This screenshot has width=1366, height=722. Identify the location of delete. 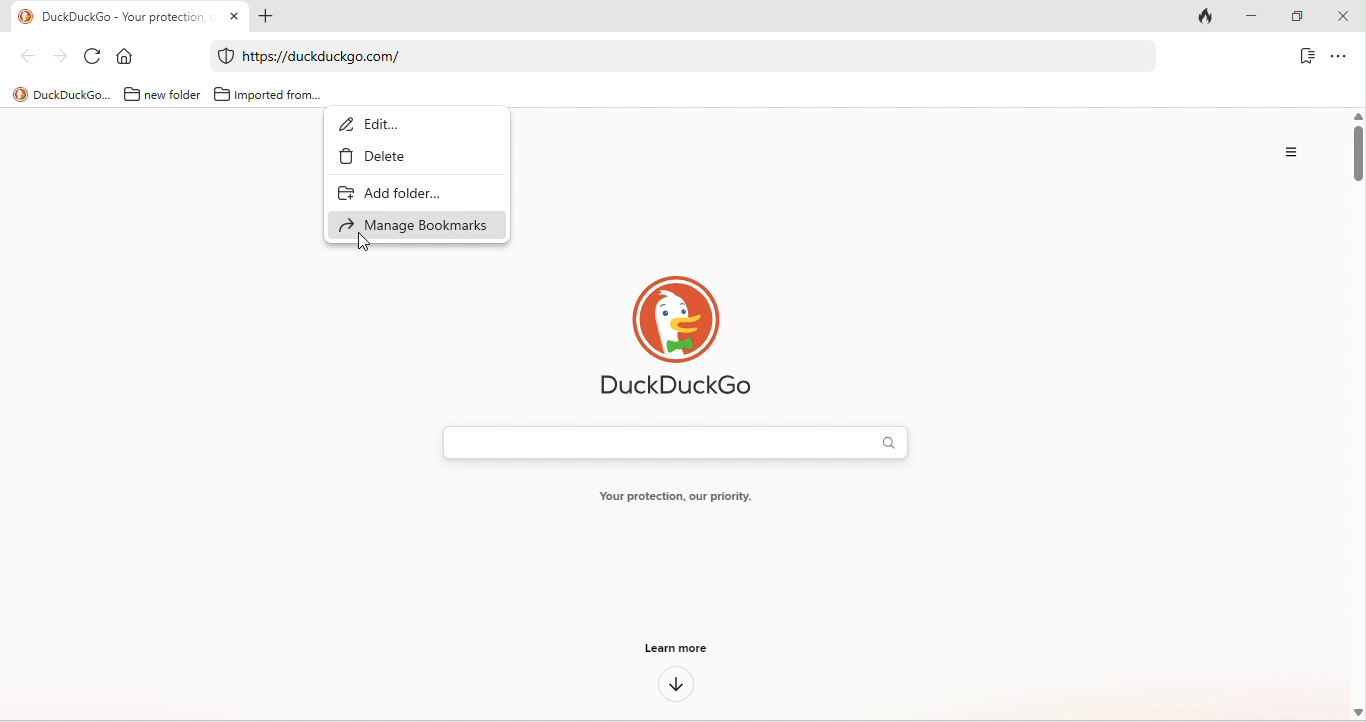
(389, 156).